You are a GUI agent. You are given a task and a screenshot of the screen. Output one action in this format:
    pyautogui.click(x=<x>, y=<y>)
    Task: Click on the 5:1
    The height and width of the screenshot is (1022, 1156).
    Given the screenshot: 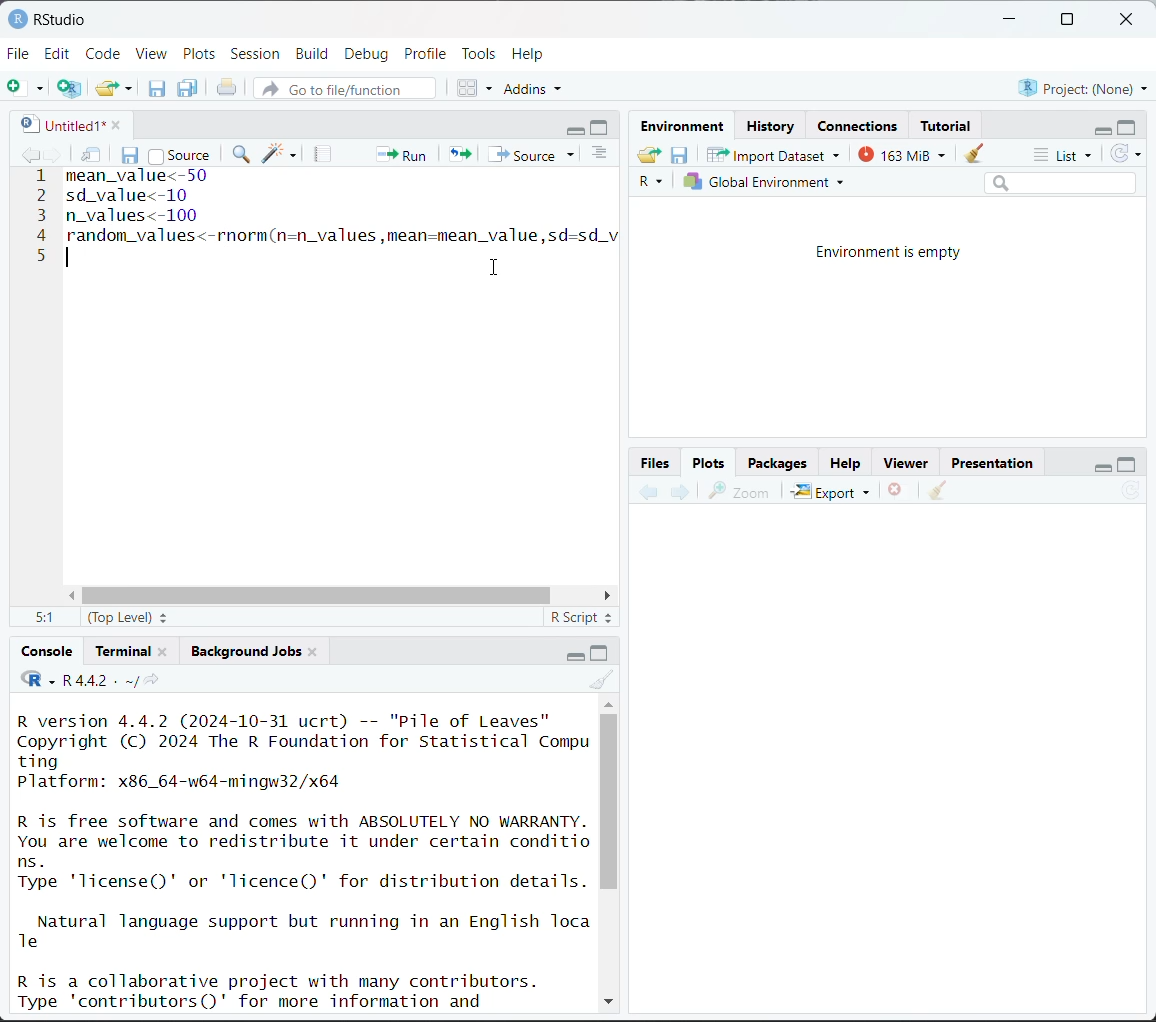 What is the action you would take?
    pyautogui.click(x=43, y=618)
    